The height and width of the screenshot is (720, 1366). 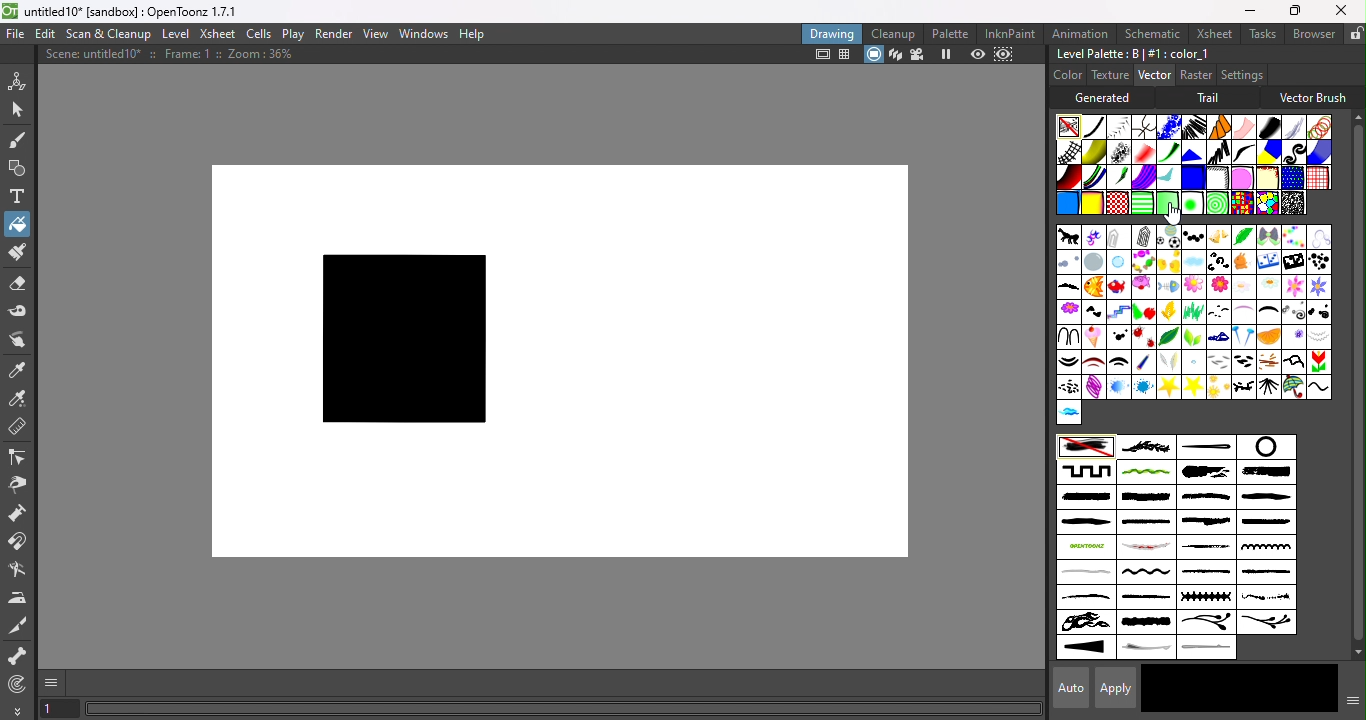 I want to click on ball, so click(x=1168, y=237).